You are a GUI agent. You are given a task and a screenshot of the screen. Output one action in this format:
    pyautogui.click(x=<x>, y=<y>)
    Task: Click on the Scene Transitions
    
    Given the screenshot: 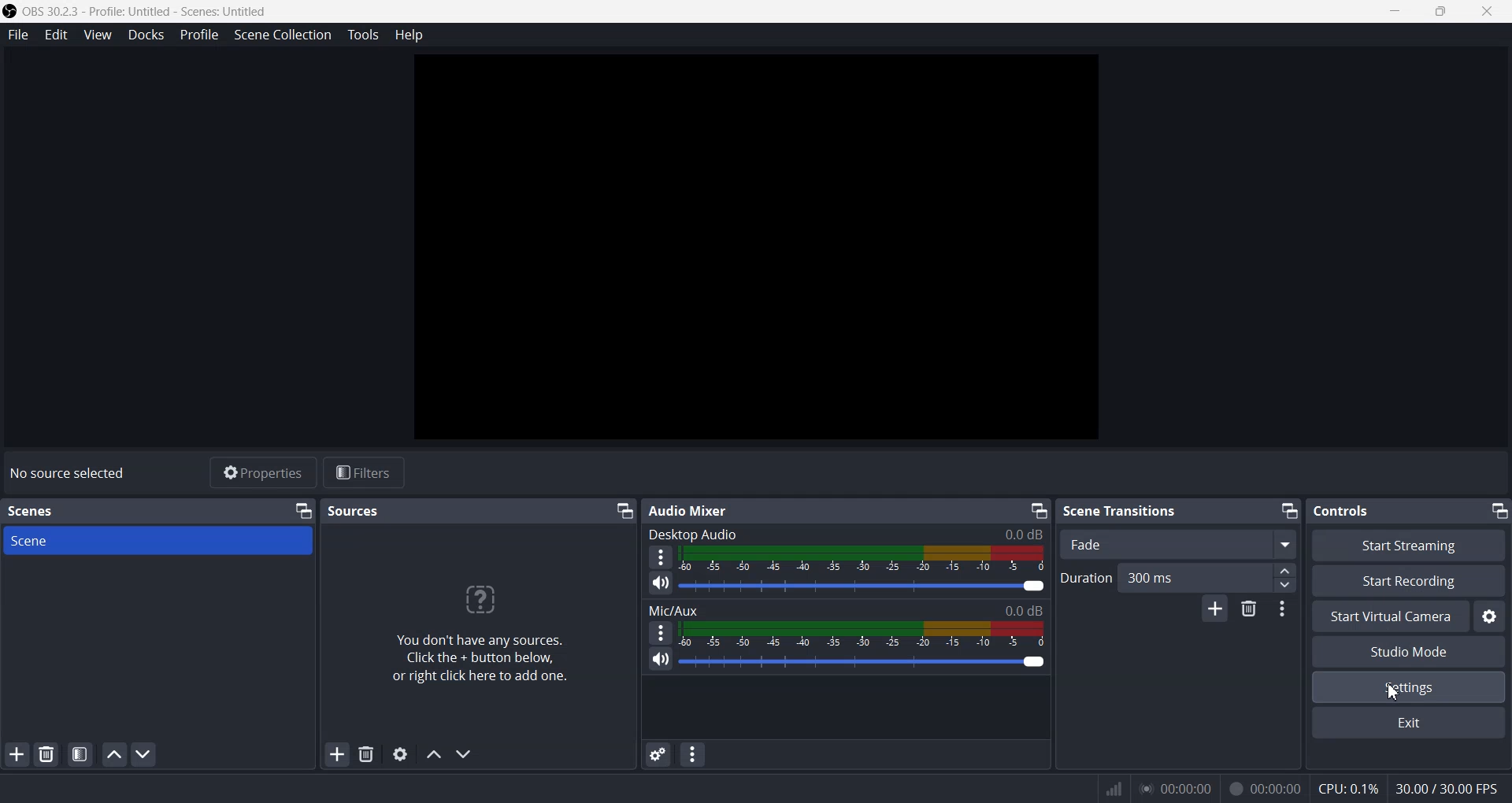 What is the action you would take?
    pyautogui.click(x=1123, y=511)
    